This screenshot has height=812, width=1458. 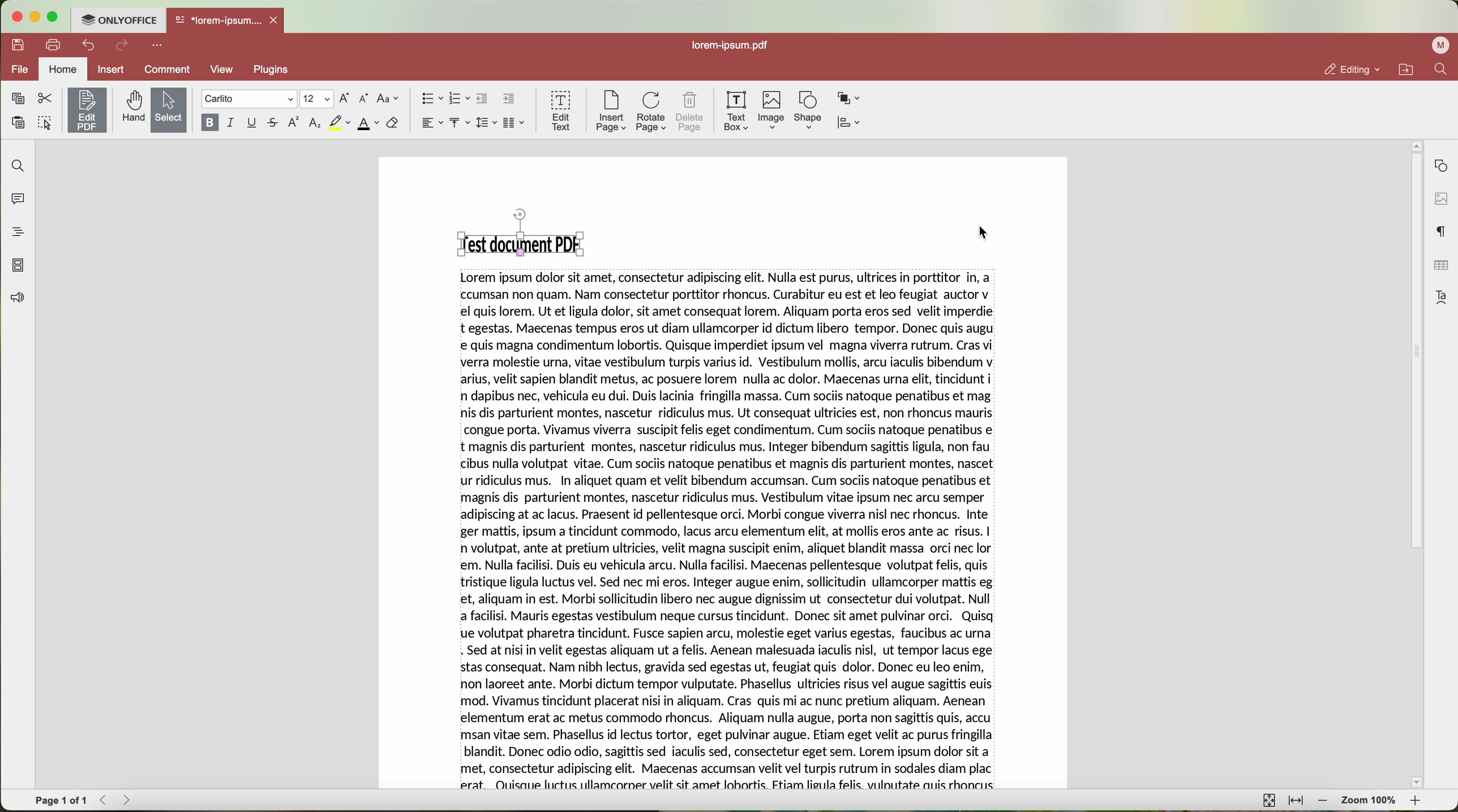 What do you see at coordinates (1323, 801) in the screenshot?
I see `zoom out` at bounding box center [1323, 801].